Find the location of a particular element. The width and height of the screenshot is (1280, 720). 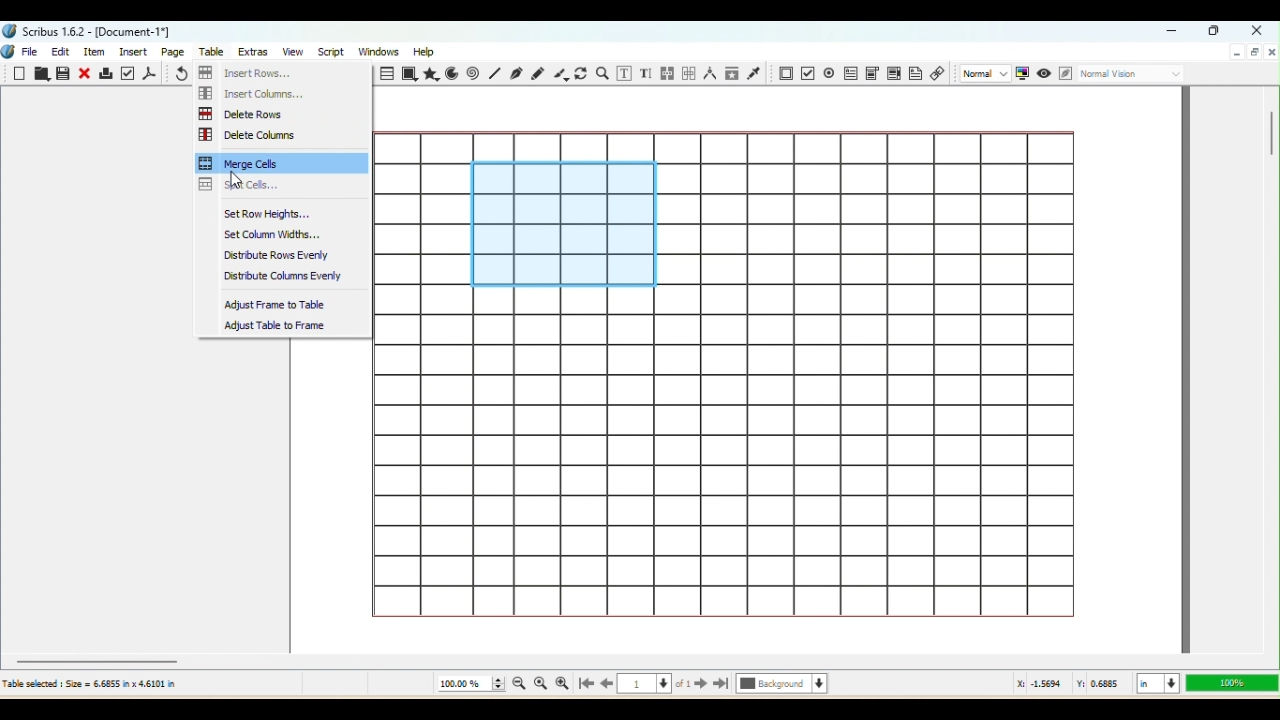

Calligraphic line is located at coordinates (559, 74).